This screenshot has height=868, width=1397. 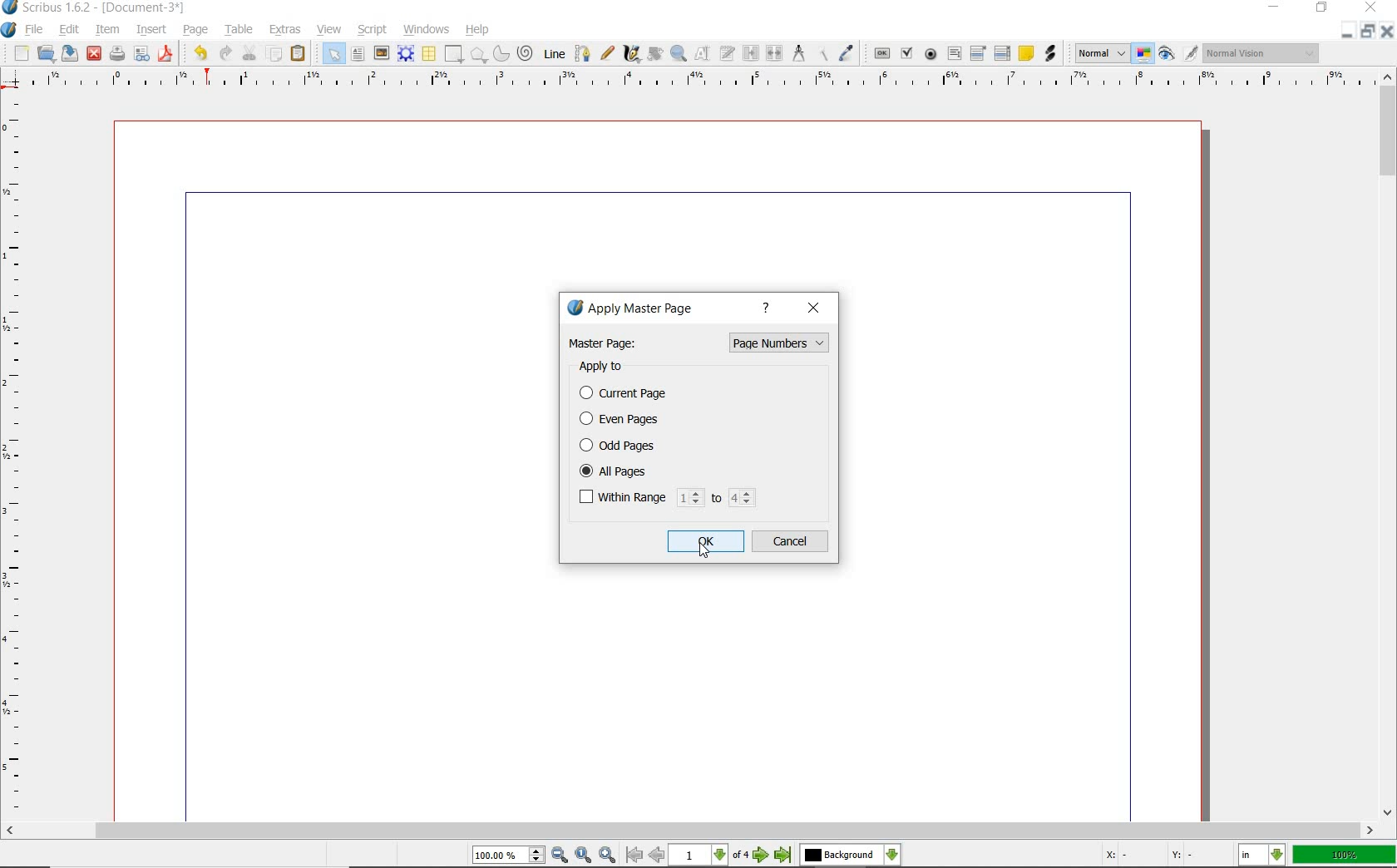 What do you see at coordinates (955, 52) in the screenshot?
I see `pdf text field` at bounding box center [955, 52].